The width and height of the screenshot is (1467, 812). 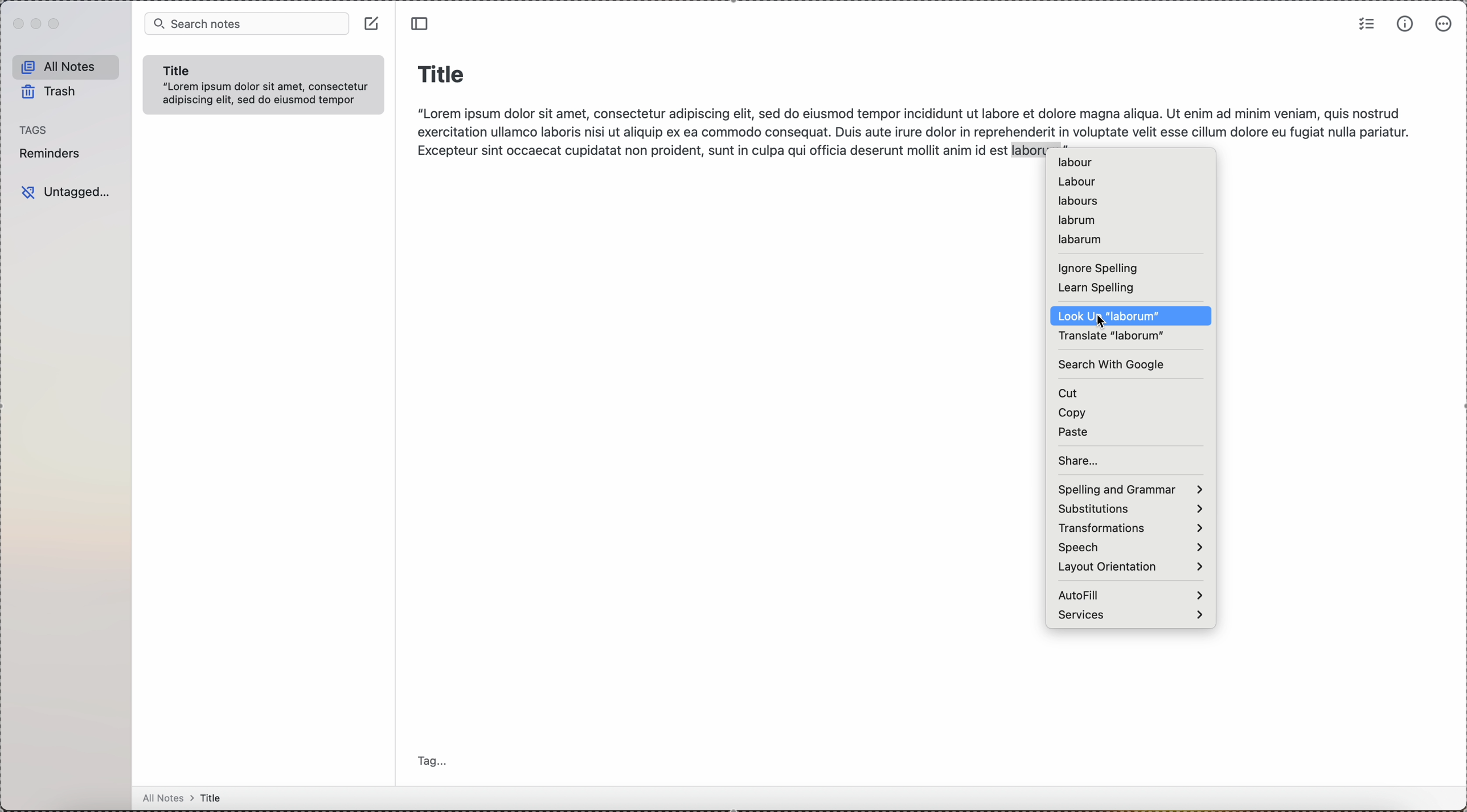 What do you see at coordinates (1096, 269) in the screenshot?
I see `ignore spelling` at bounding box center [1096, 269].